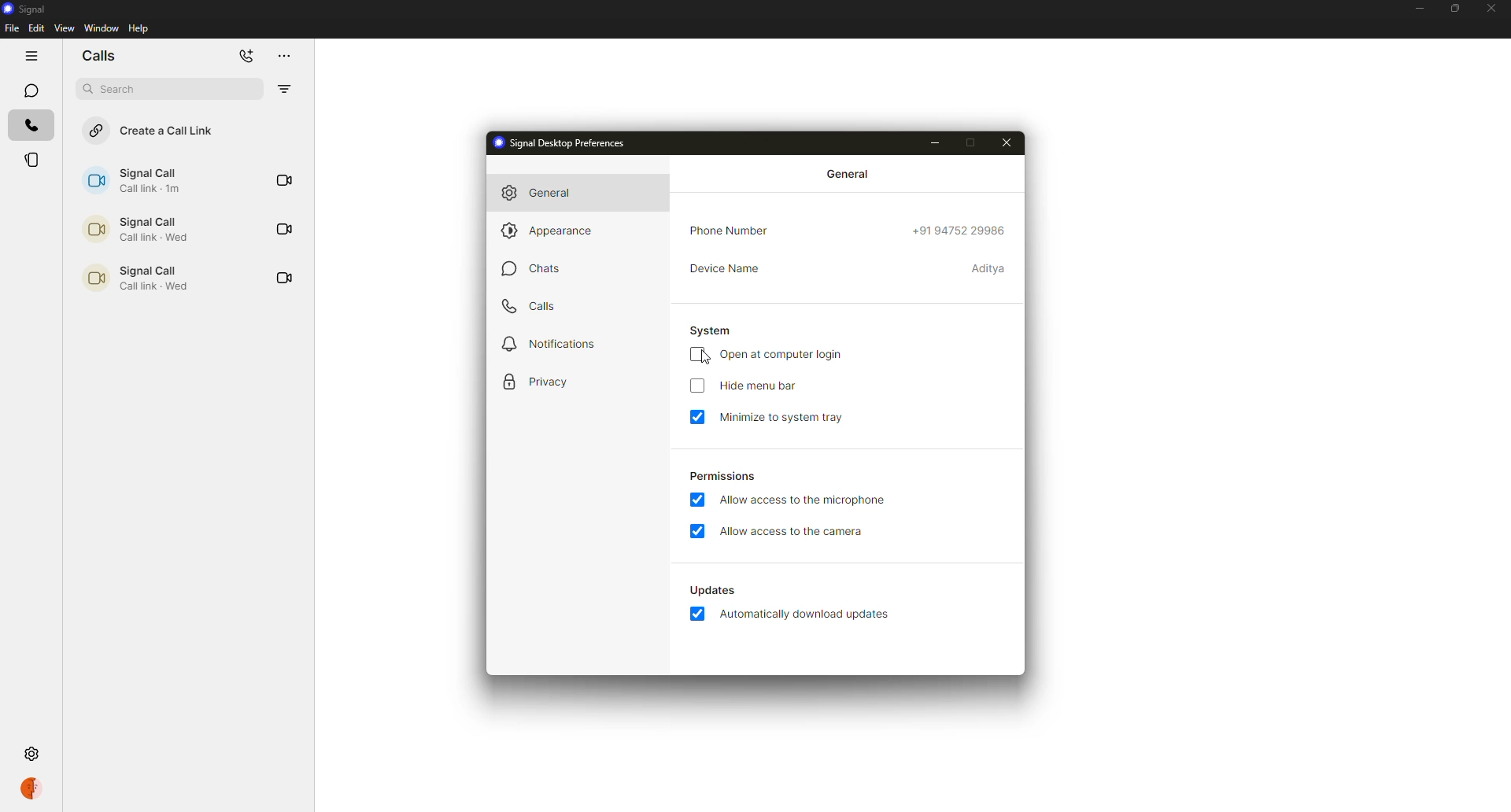 This screenshot has height=812, width=1511. I want to click on close, so click(1492, 7).